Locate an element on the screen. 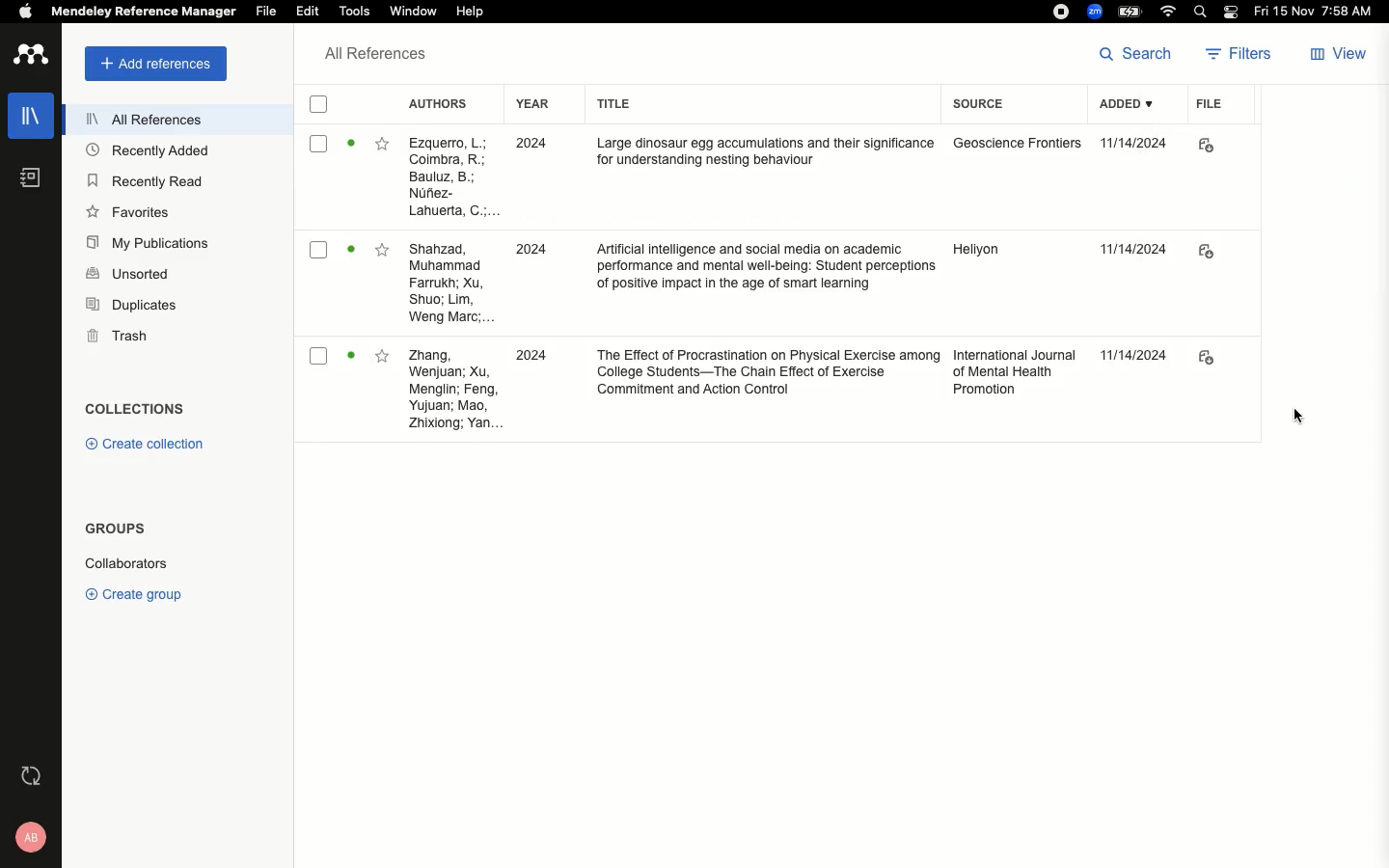  Last sync is located at coordinates (29, 776).